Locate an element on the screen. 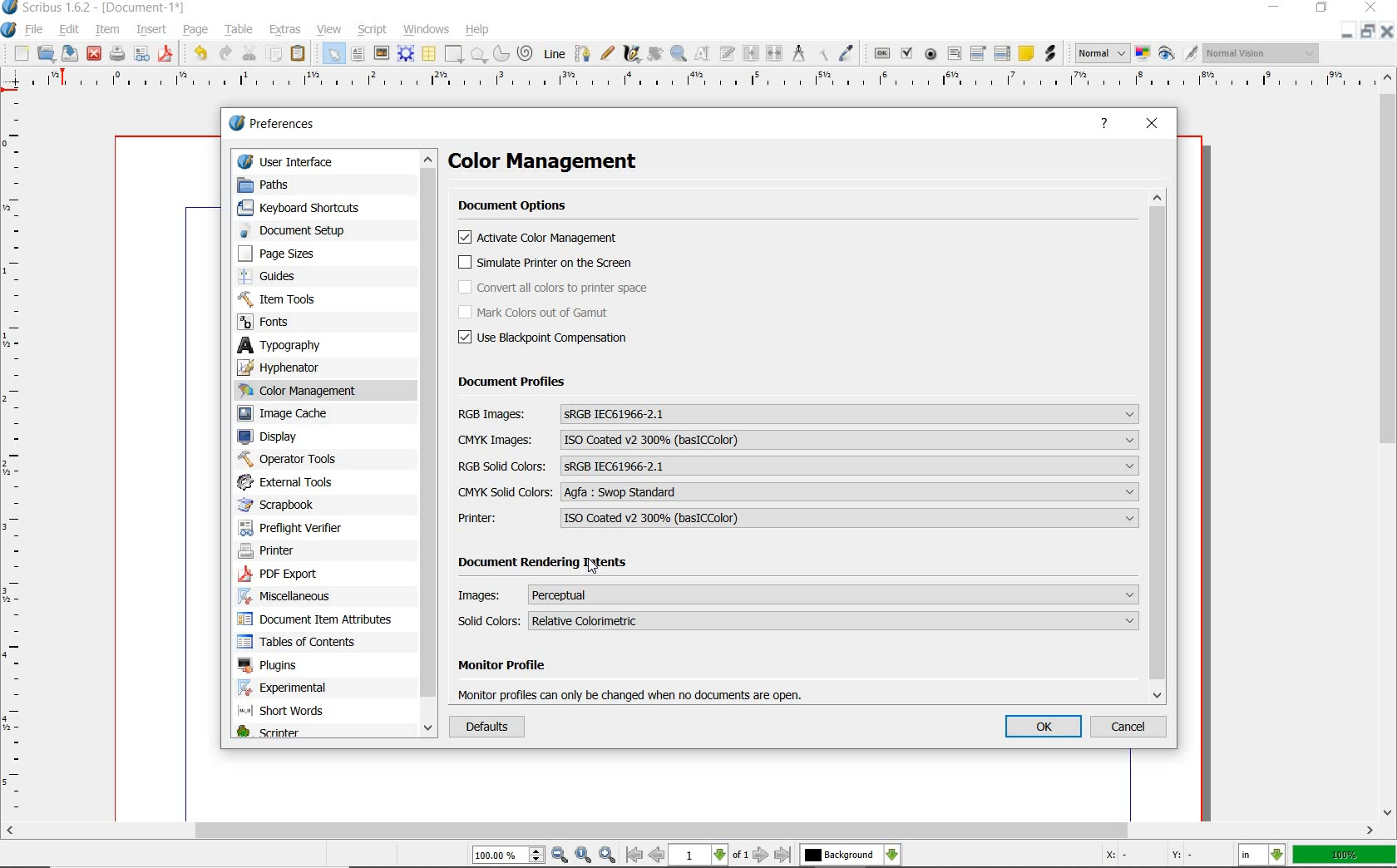 The width and height of the screenshot is (1397, 868). rotate item is located at coordinates (655, 54).